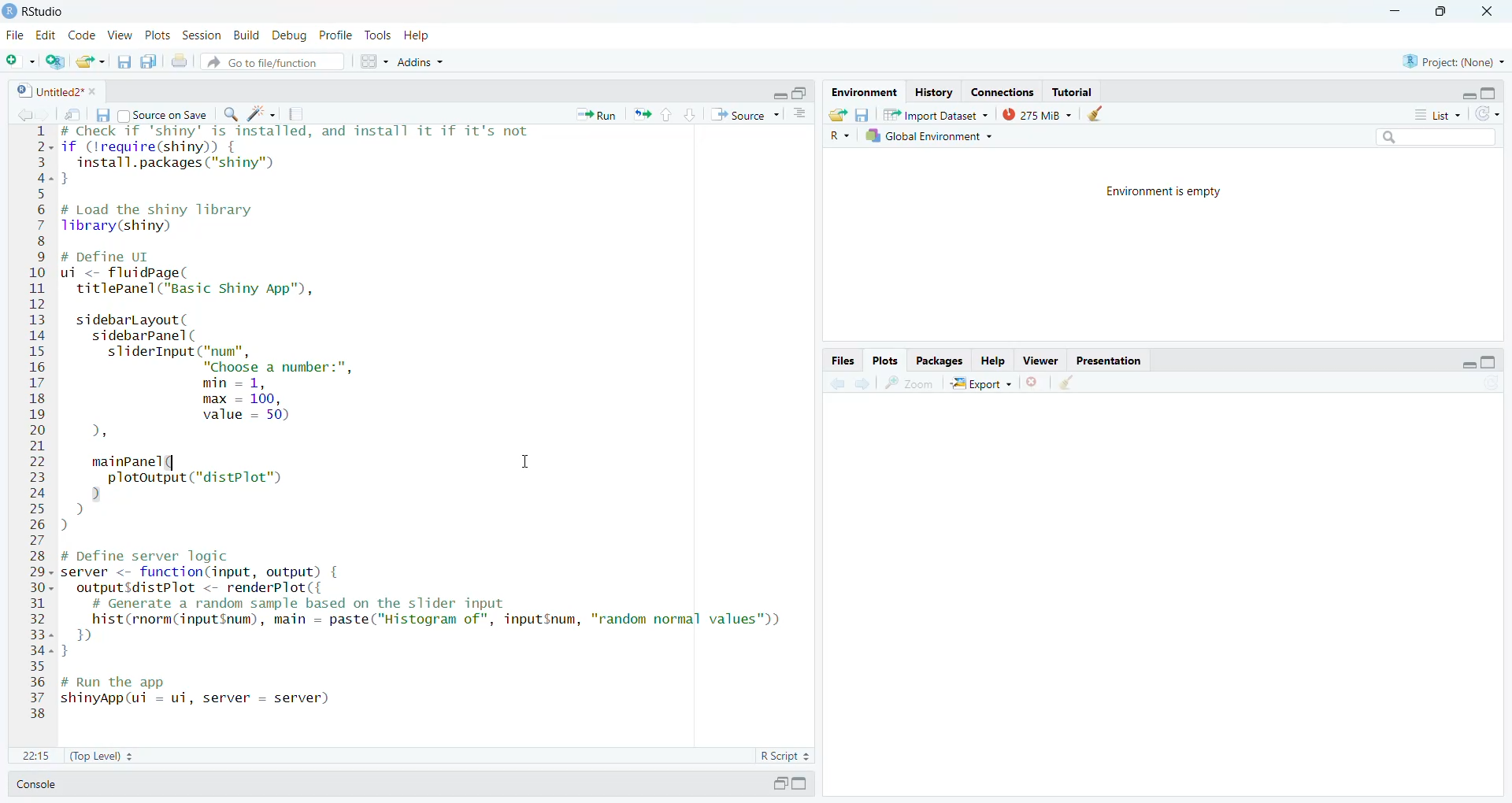 The height and width of the screenshot is (803, 1512). What do you see at coordinates (862, 115) in the screenshot?
I see `save` at bounding box center [862, 115].